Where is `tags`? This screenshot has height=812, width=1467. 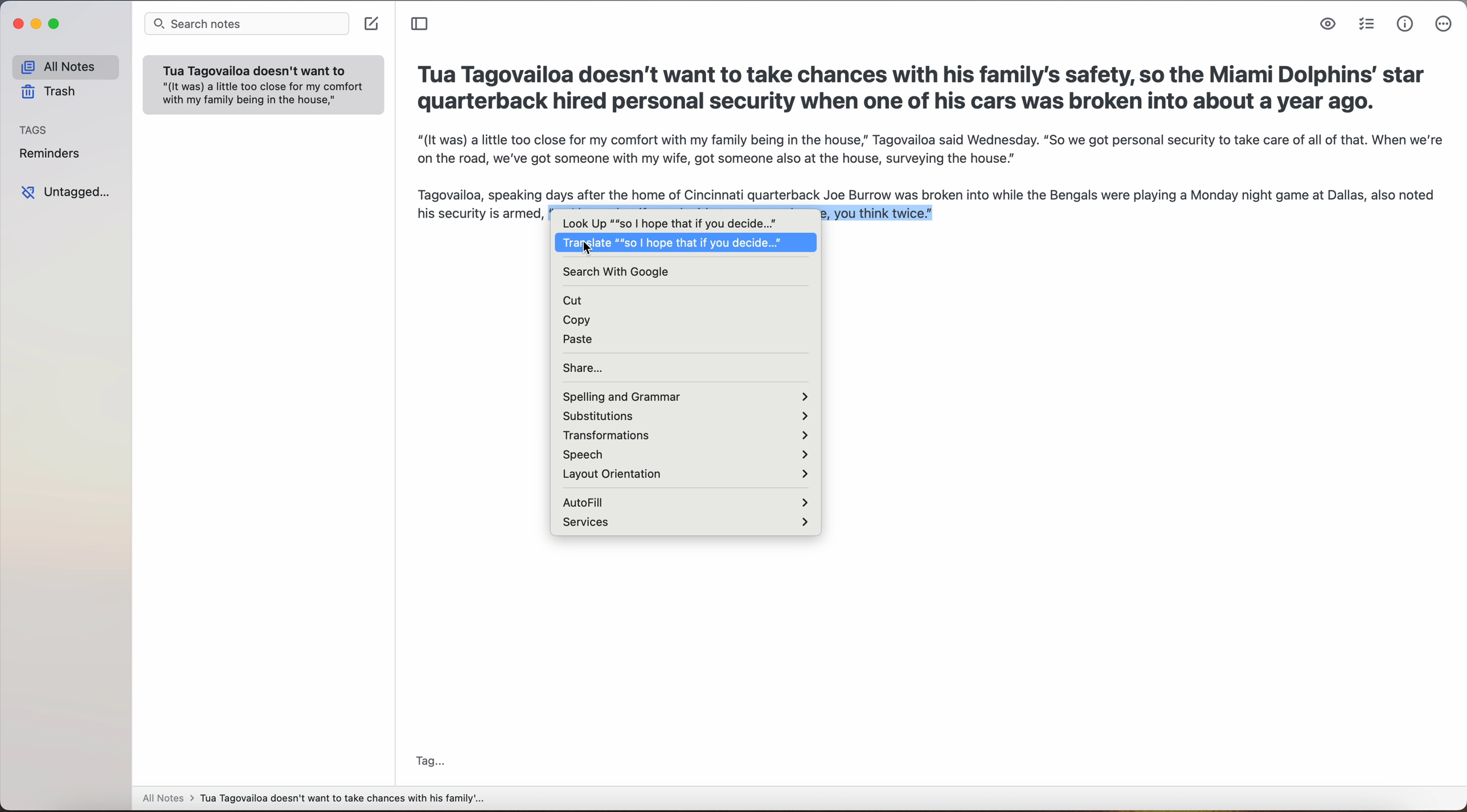 tags is located at coordinates (35, 130).